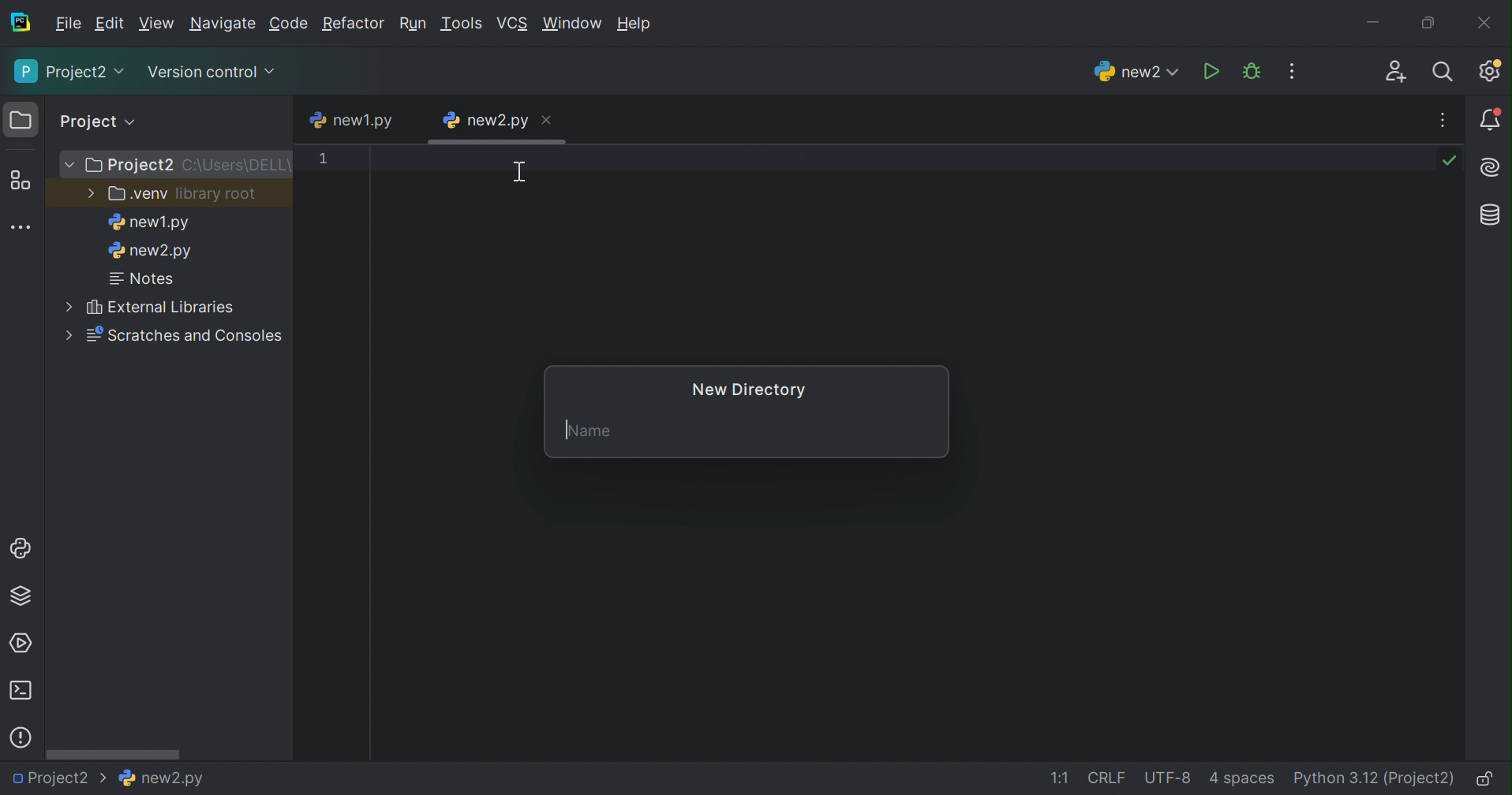  I want to click on More tool windows, so click(22, 226).